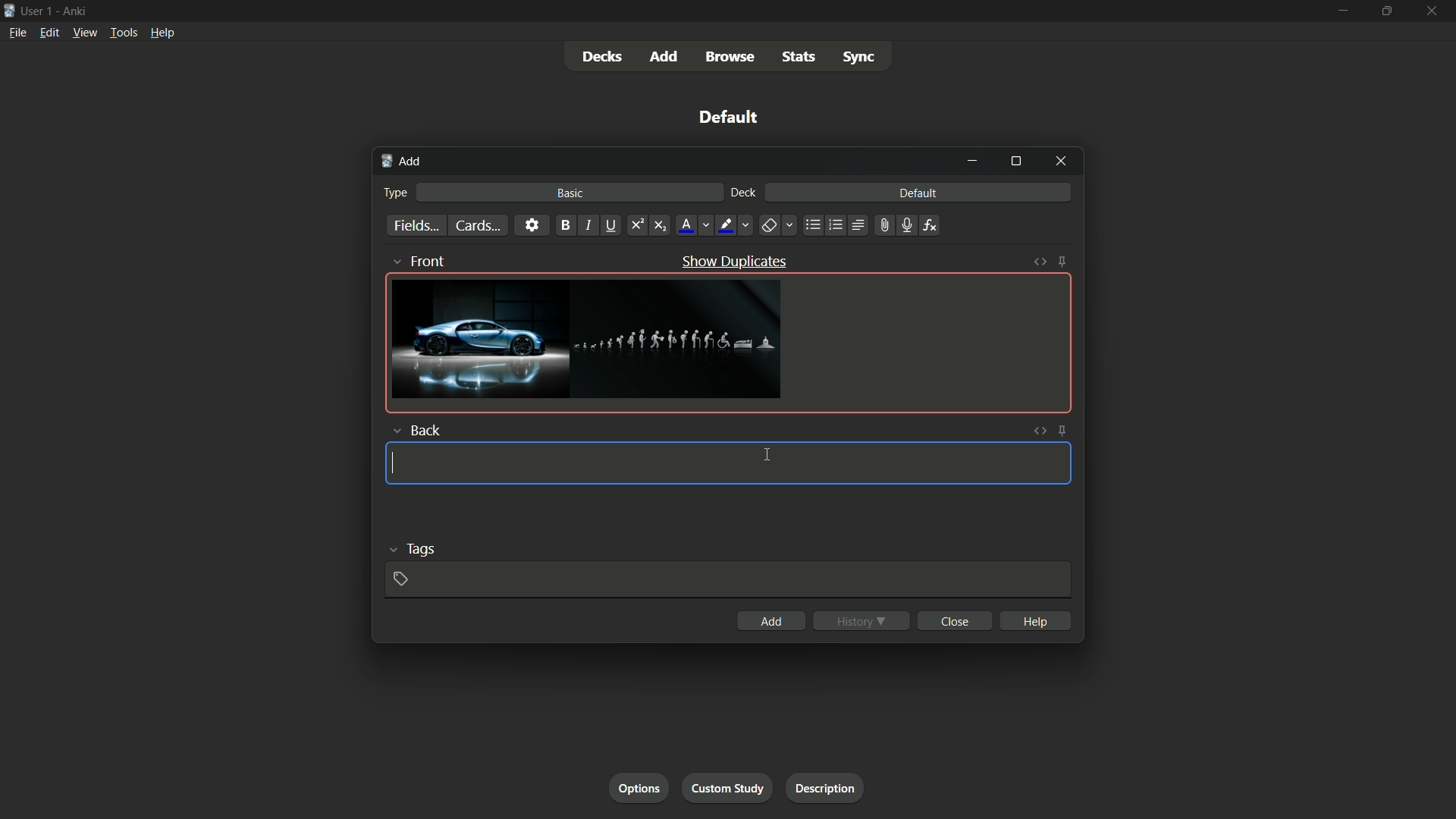 The image size is (1456, 819). What do you see at coordinates (589, 225) in the screenshot?
I see `italic` at bounding box center [589, 225].